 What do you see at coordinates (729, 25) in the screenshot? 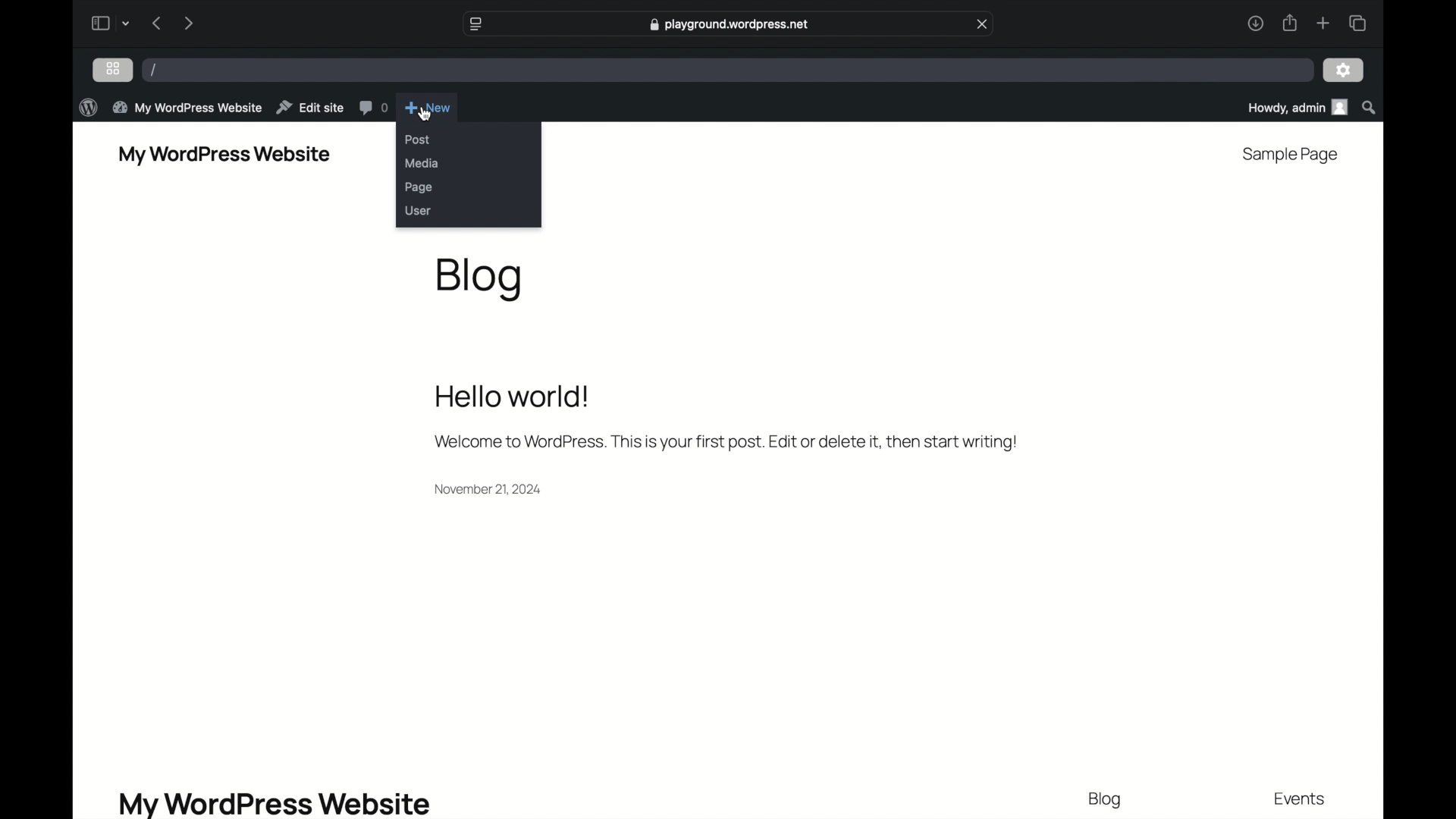
I see `web address` at bounding box center [729, 25].